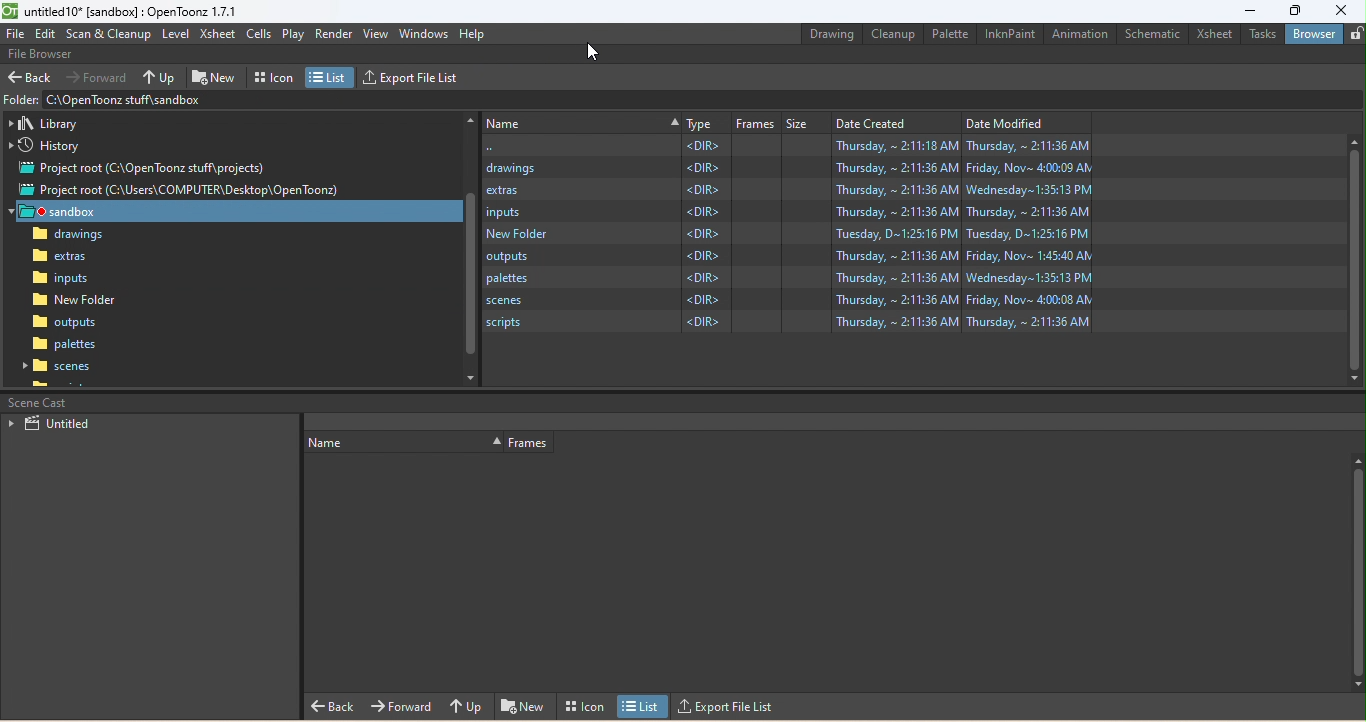 The image size is (1366, 722). I want to click on Forward, so click(97, 78).